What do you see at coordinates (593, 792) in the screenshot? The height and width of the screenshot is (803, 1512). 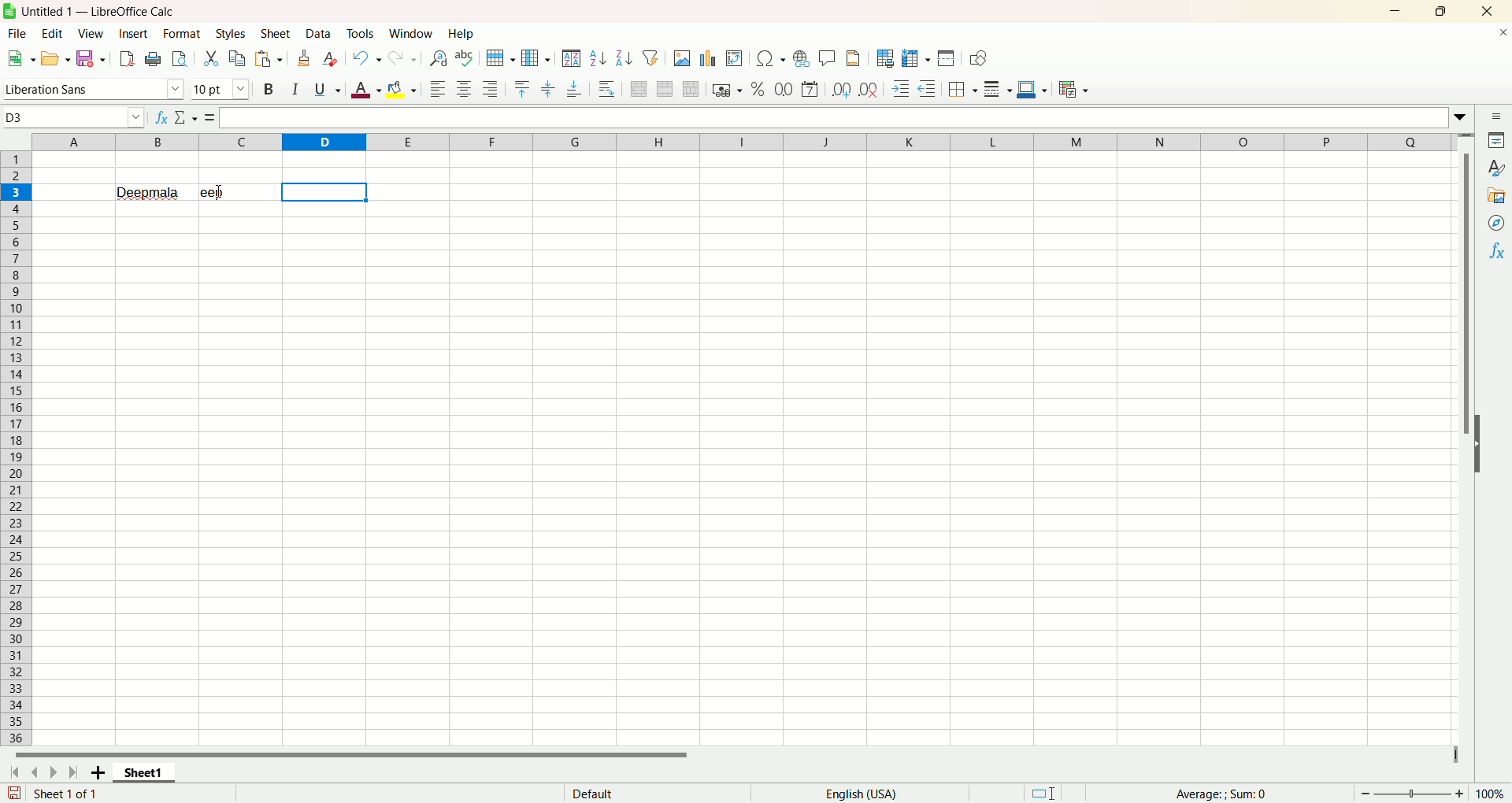 I see `Text` at bounding box center [593, 792].